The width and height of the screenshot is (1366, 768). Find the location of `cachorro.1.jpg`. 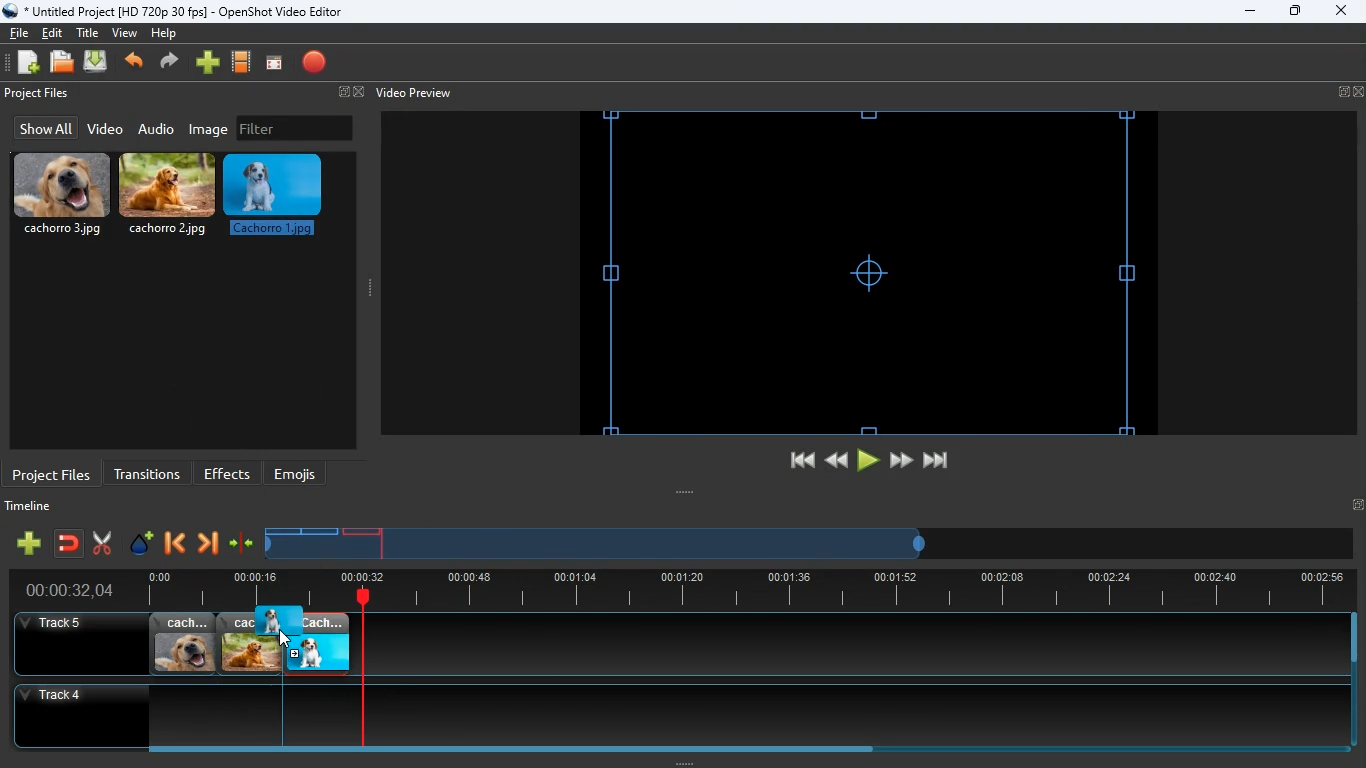

cachorro.1.jpg is located at coordinates (277, 201).